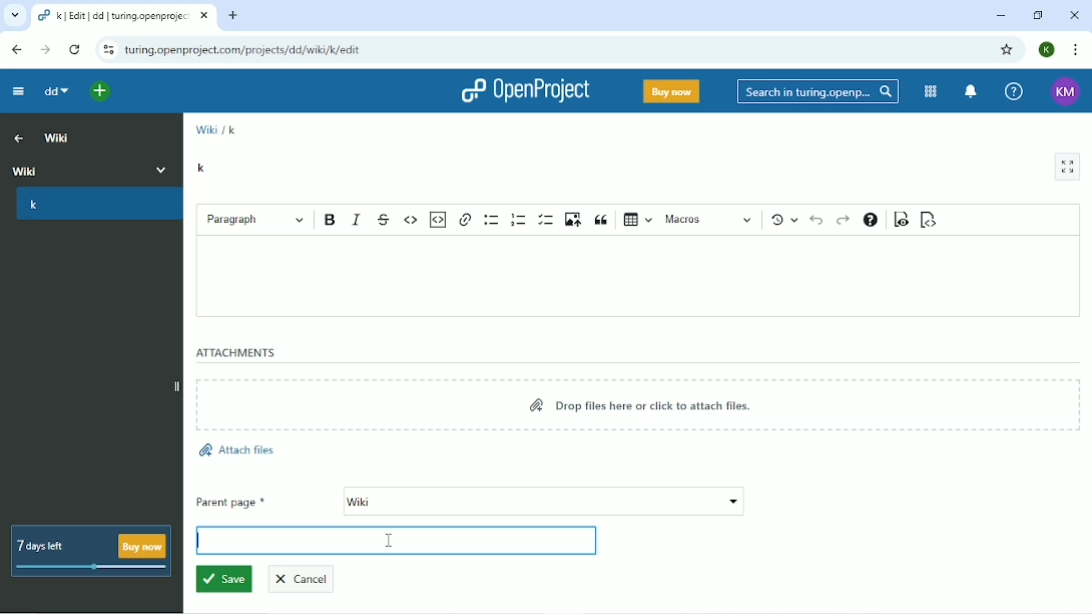 This screenshot has height=614, width=1092. What do you see at coordinates (783, 220) in the screenshot?
I see `Show local modifications` at bounding box center [783, 220].